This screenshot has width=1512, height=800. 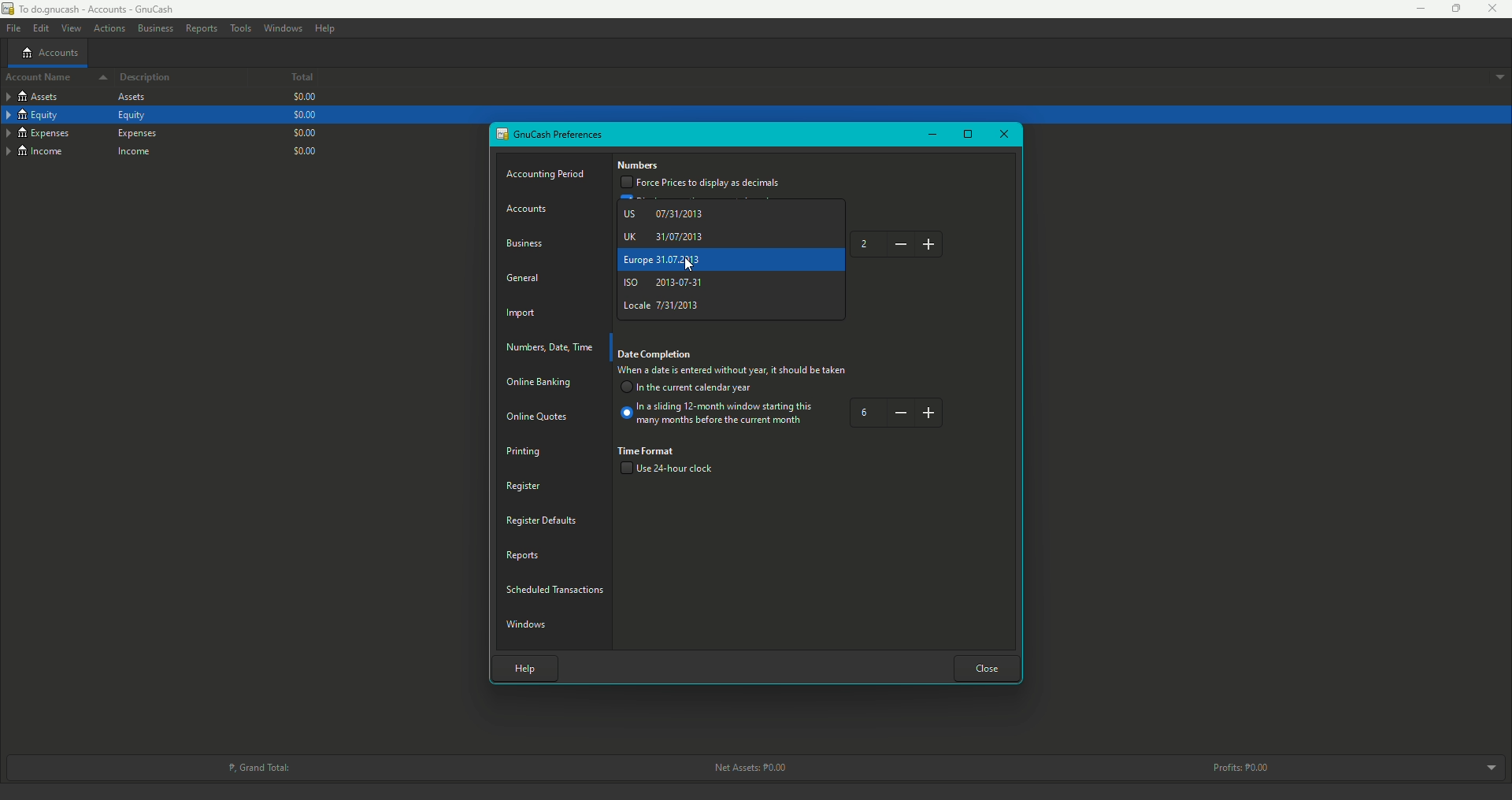 What do you see at coordinates (553, 347) in the screenshot?
I see `Numbers, Date, Time` at bounding box center [553, 347].